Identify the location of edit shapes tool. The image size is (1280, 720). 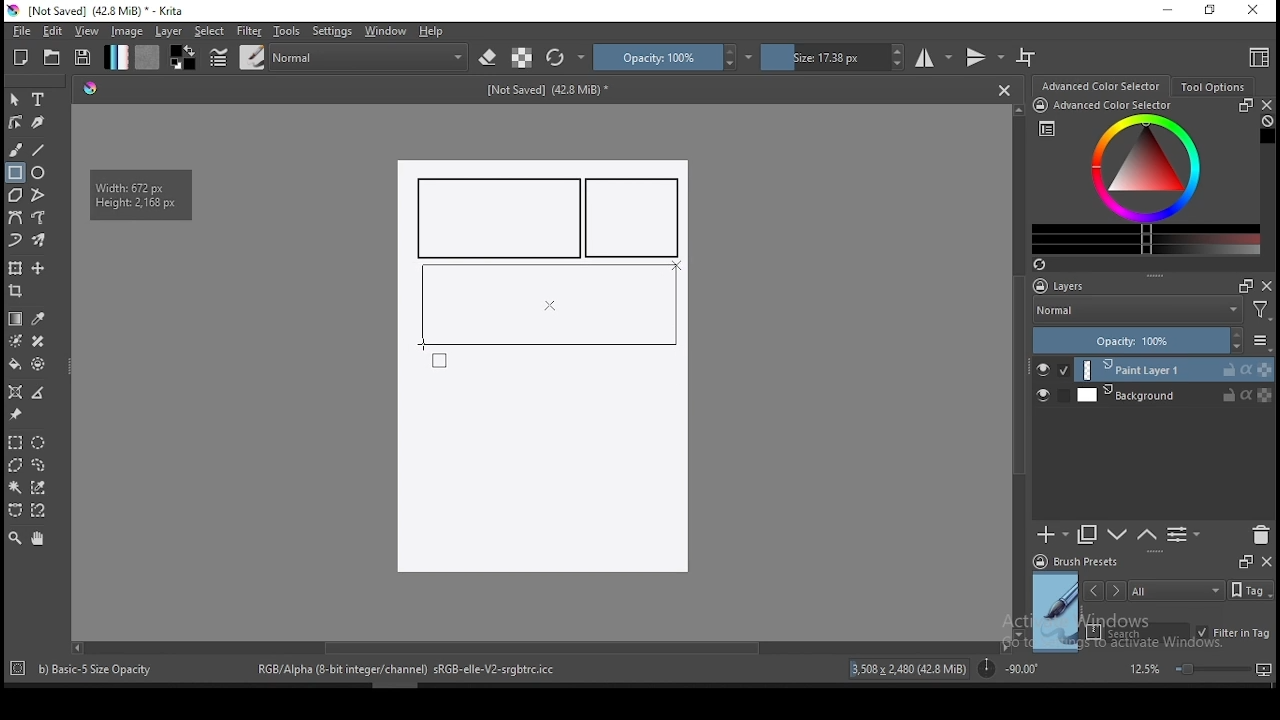
(15, 121).